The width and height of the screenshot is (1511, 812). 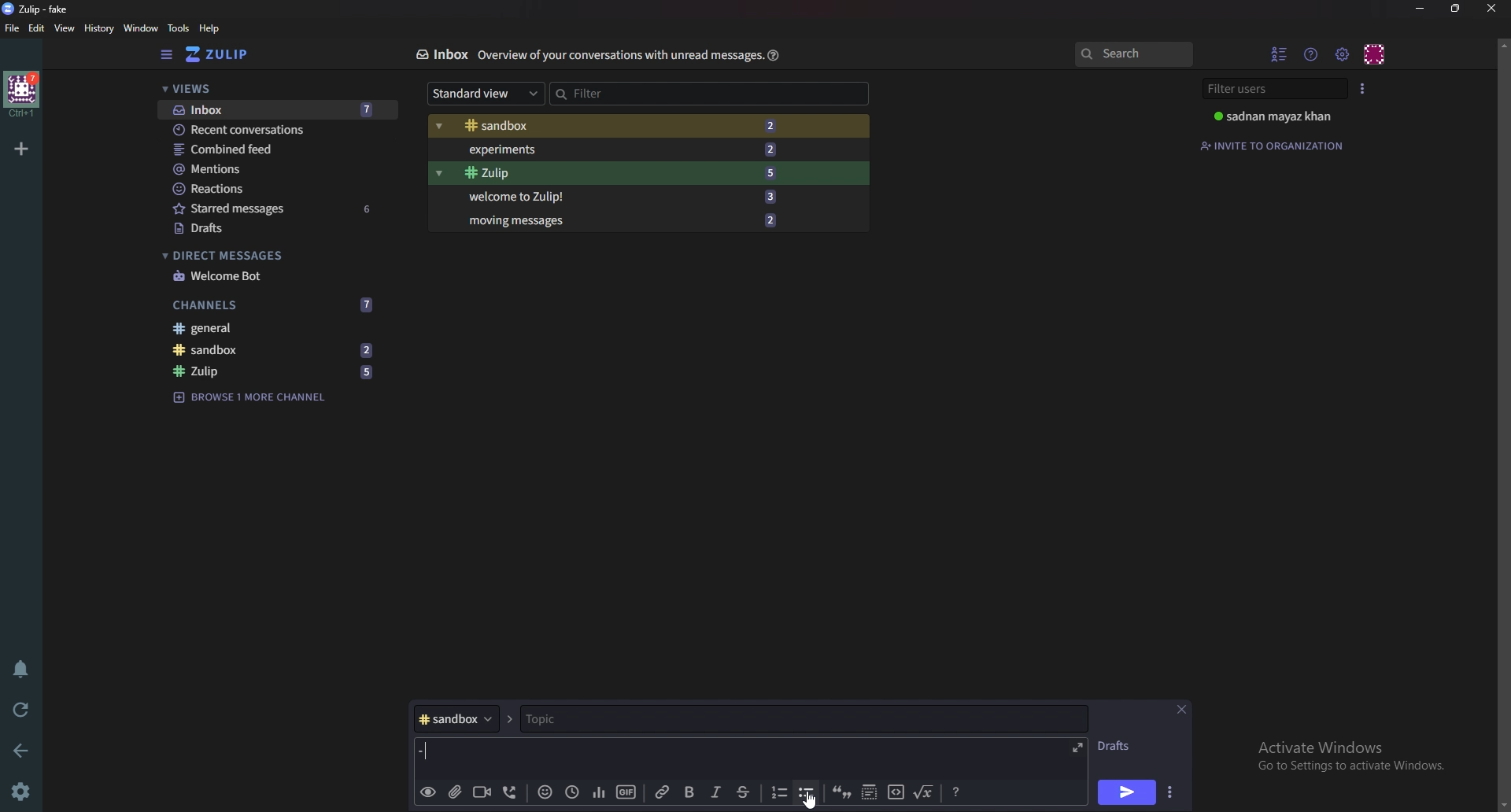 What do you see at coordinates (486, 92) in the screenshot?
I see `Standard view` at bounding box center [486, 92].